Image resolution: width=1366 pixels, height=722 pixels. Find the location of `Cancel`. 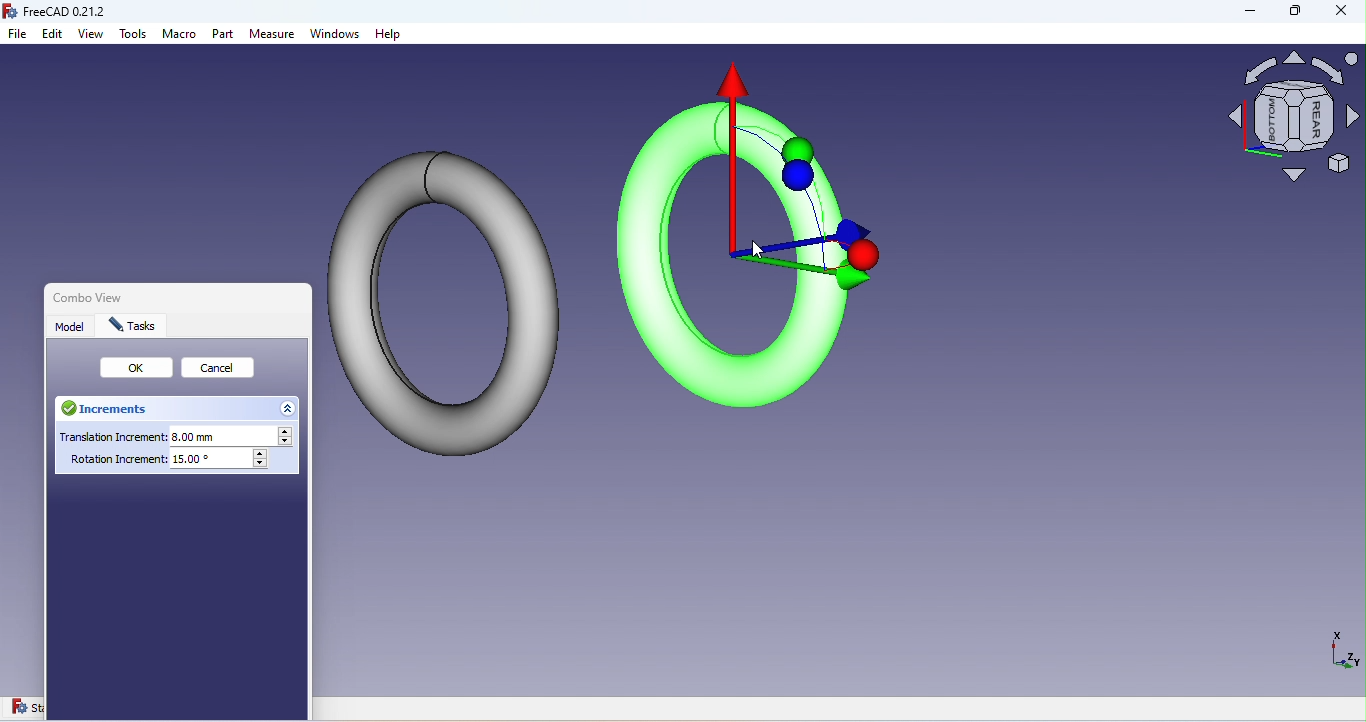

Cancel is located at coordinates (223, 370).